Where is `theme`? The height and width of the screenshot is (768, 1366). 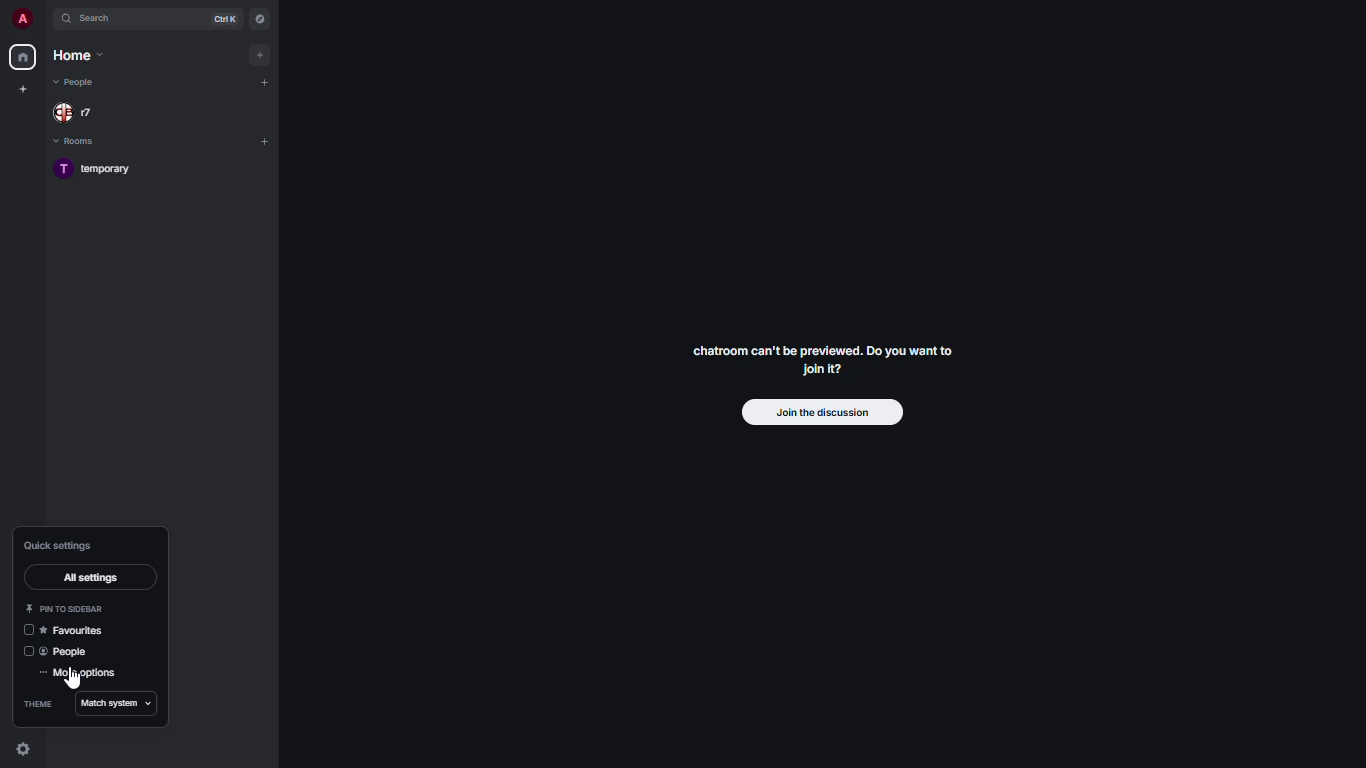 theme is located at coordinates (40, 702).